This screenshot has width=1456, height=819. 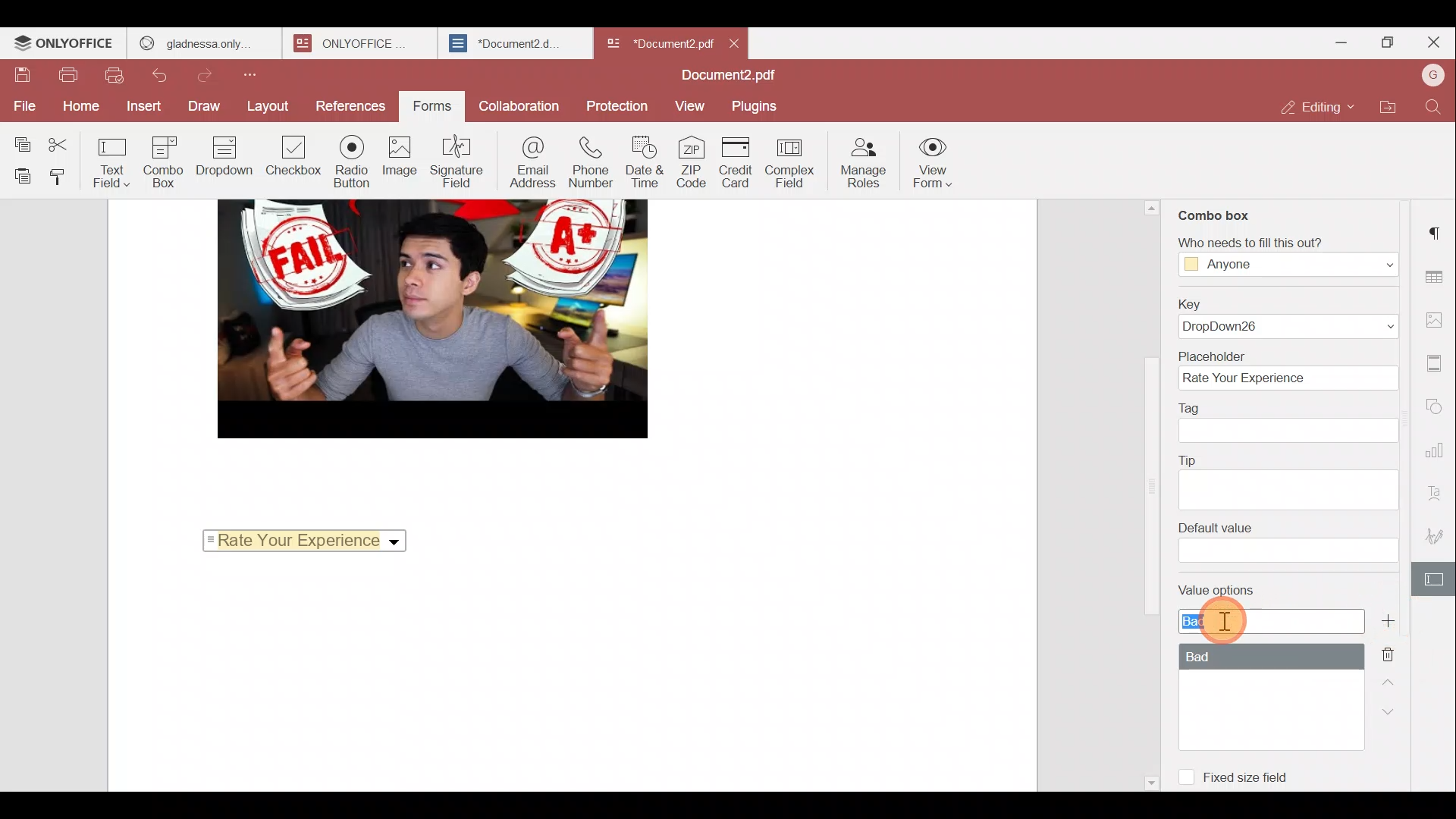 What do you see at coordinates (1395, 718) in the screenshot?
I see `Down` at bounding box center [1395, 718].